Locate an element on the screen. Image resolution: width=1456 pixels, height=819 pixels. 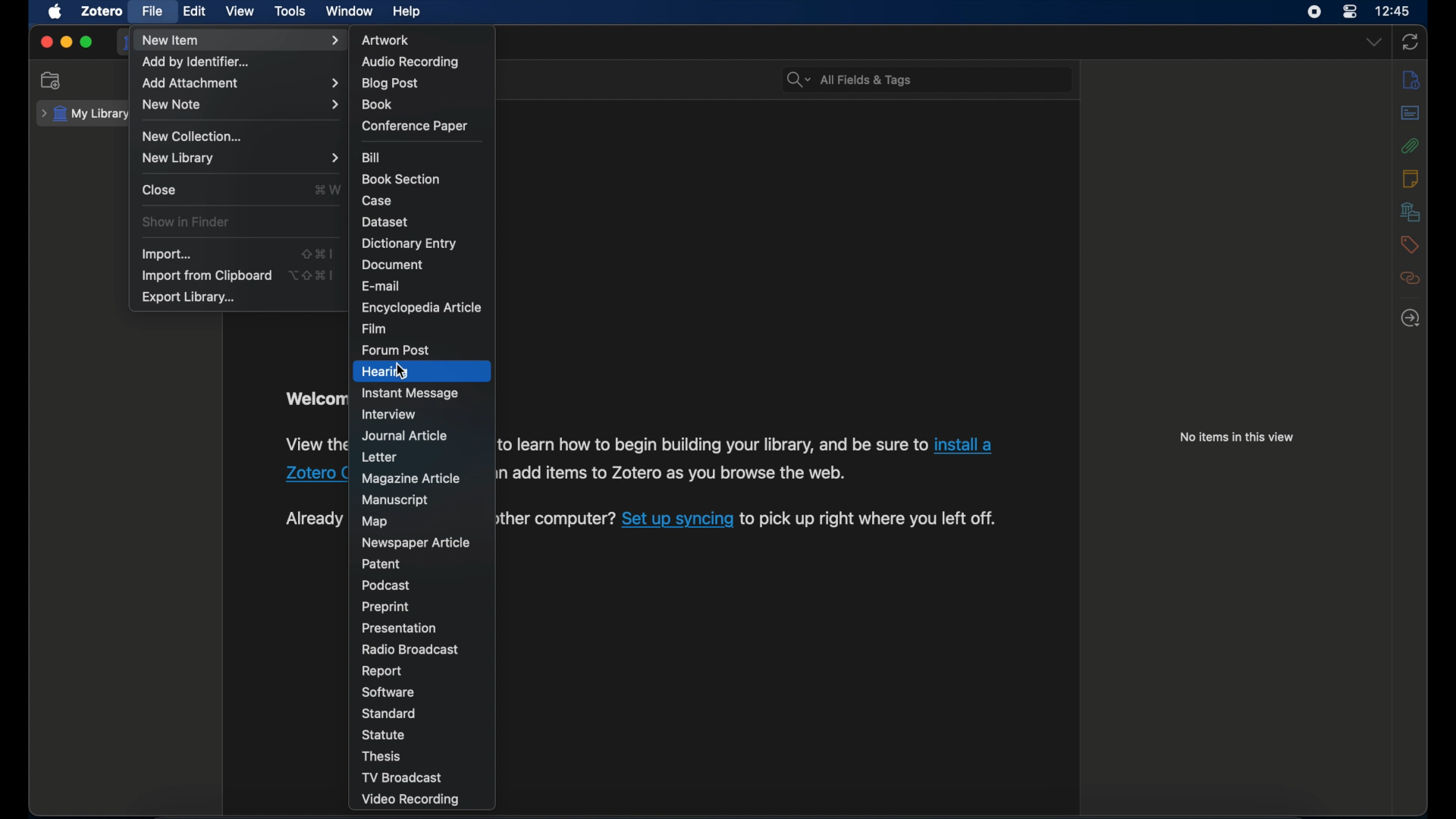
add by identifier is located at coordinates (195, 62).